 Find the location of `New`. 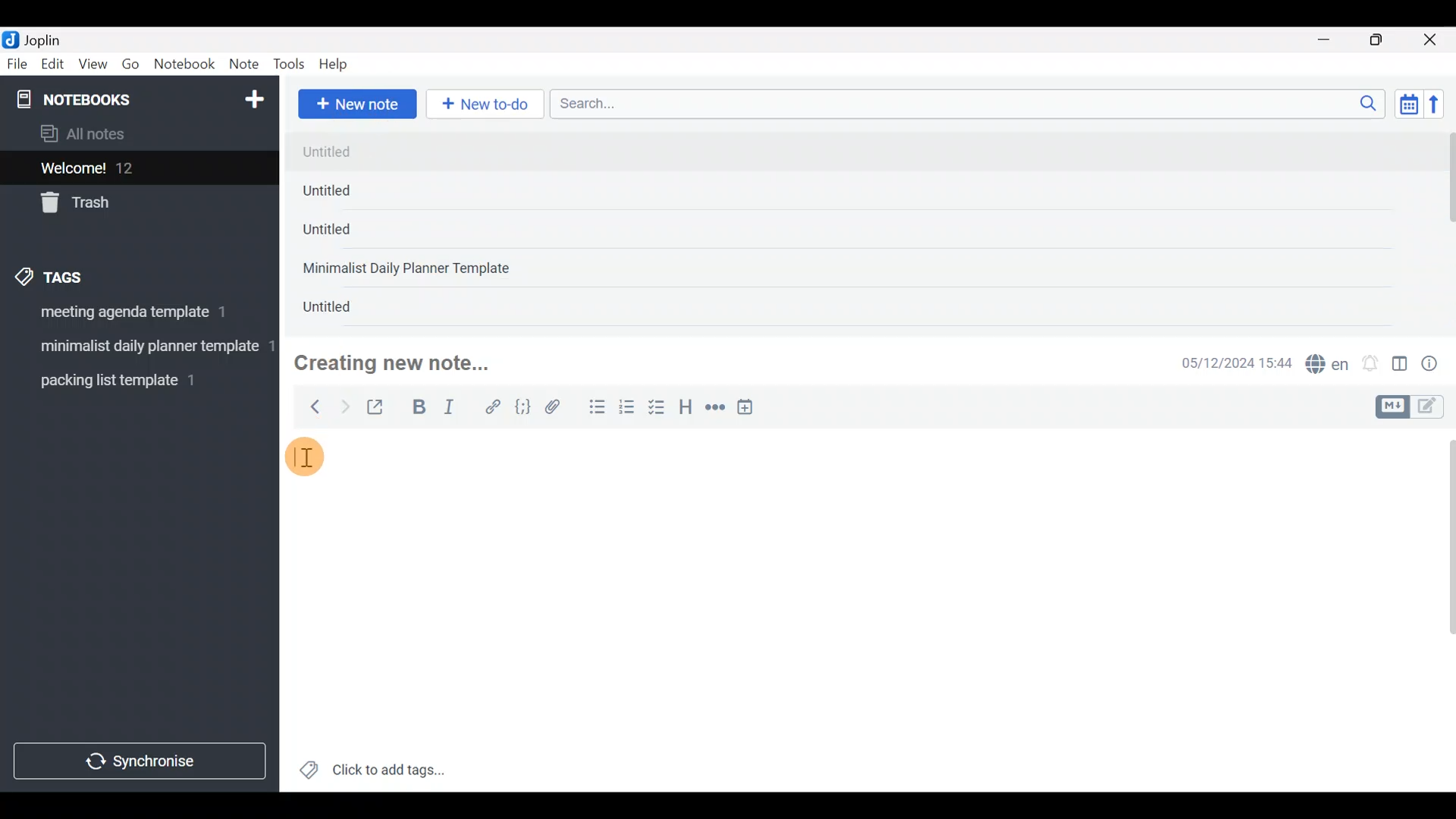

New is located at coordinates (253, 96).